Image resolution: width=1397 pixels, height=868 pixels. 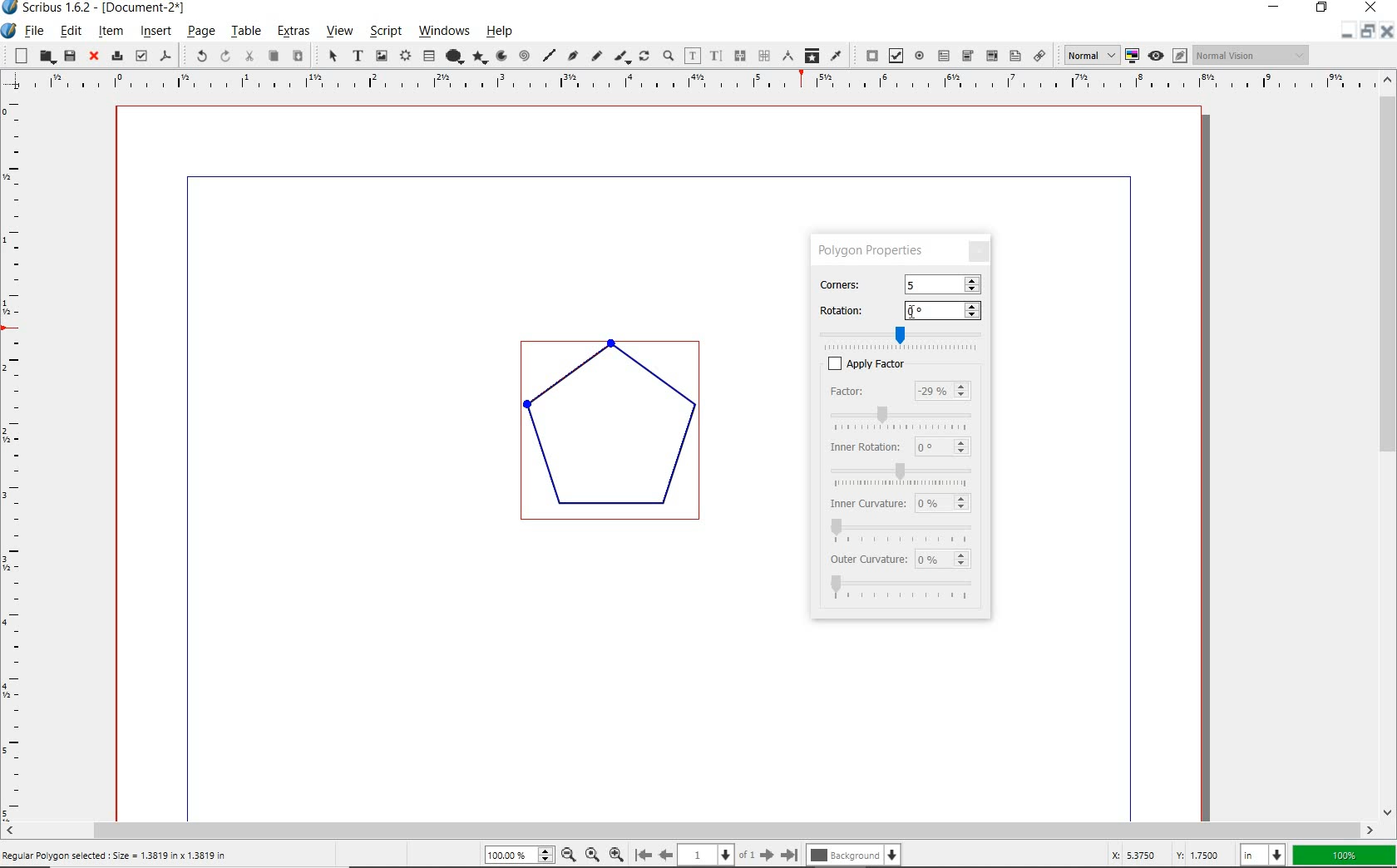 What do you see at coordinates (1251, 55) in the screenshot?
I see `visual appearance of display` at bounding box center [1251, 55].